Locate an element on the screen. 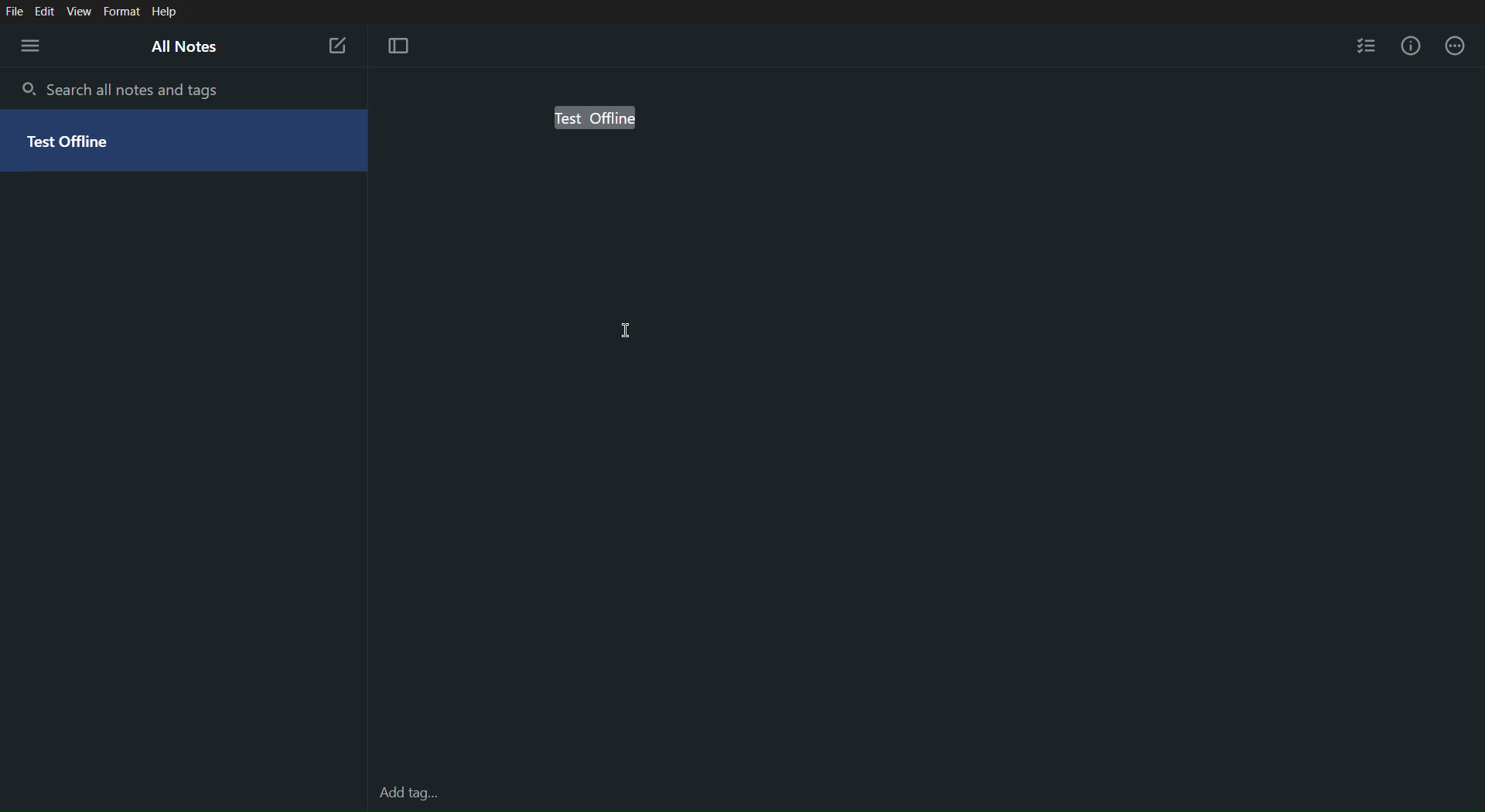  Menu is located at coordinates (28, 44).